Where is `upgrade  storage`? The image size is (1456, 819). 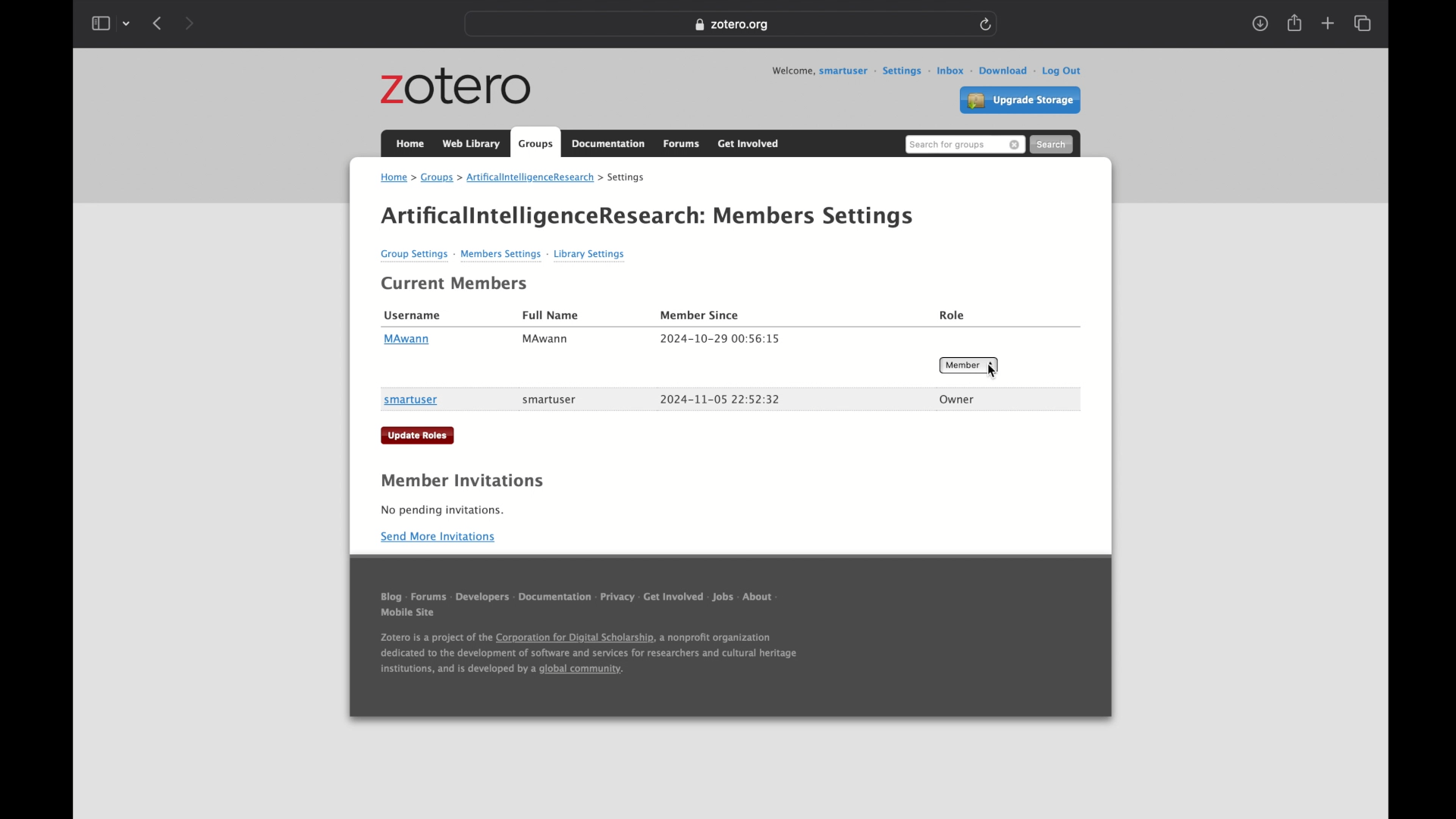 upgrade  storage is located at coordinates (1020, 101).